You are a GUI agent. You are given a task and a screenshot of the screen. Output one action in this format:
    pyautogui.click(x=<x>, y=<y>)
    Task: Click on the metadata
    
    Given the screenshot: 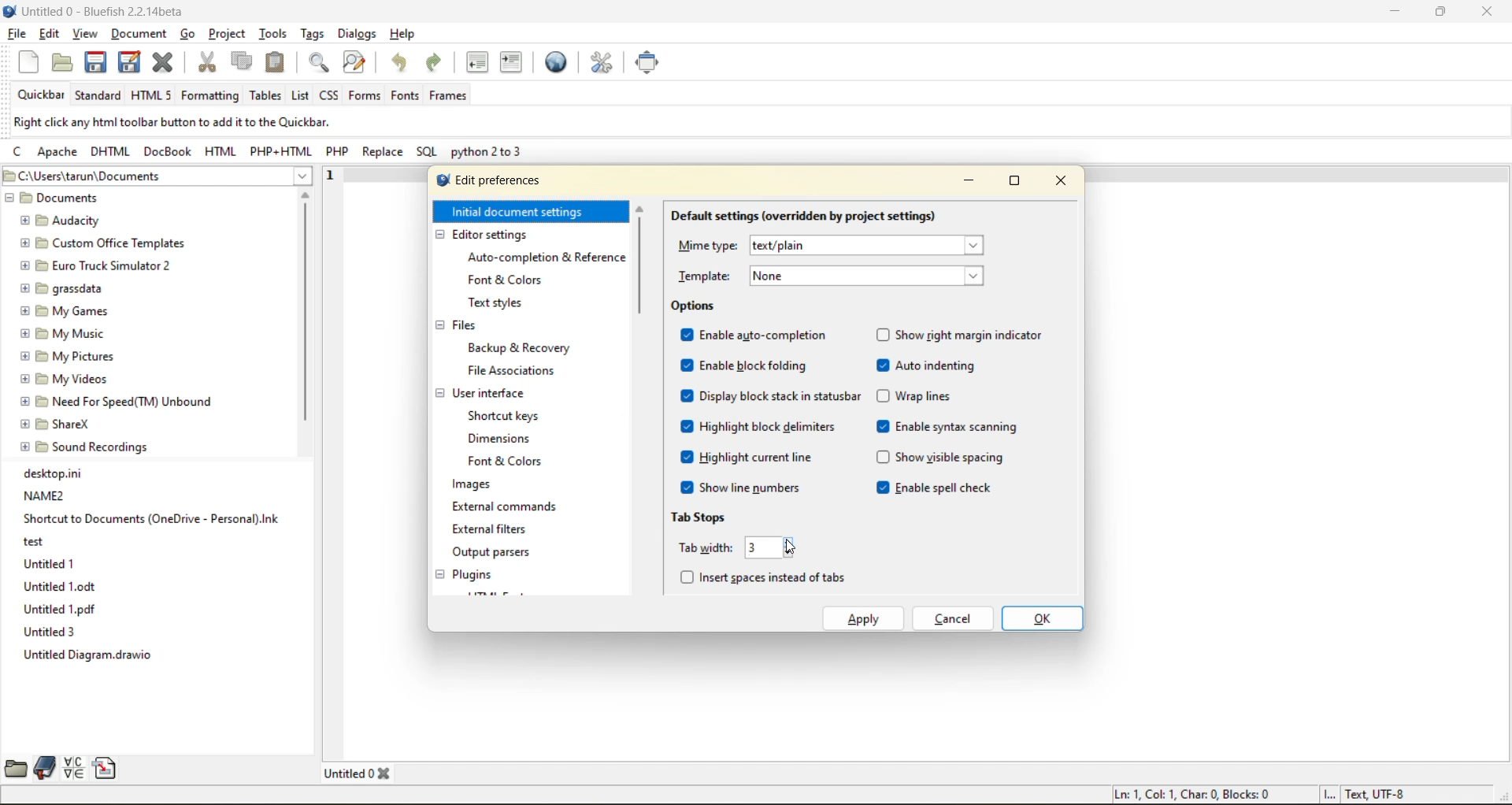 What is the action you would take?
    pyautogui.click(x=1258, y=795)
    